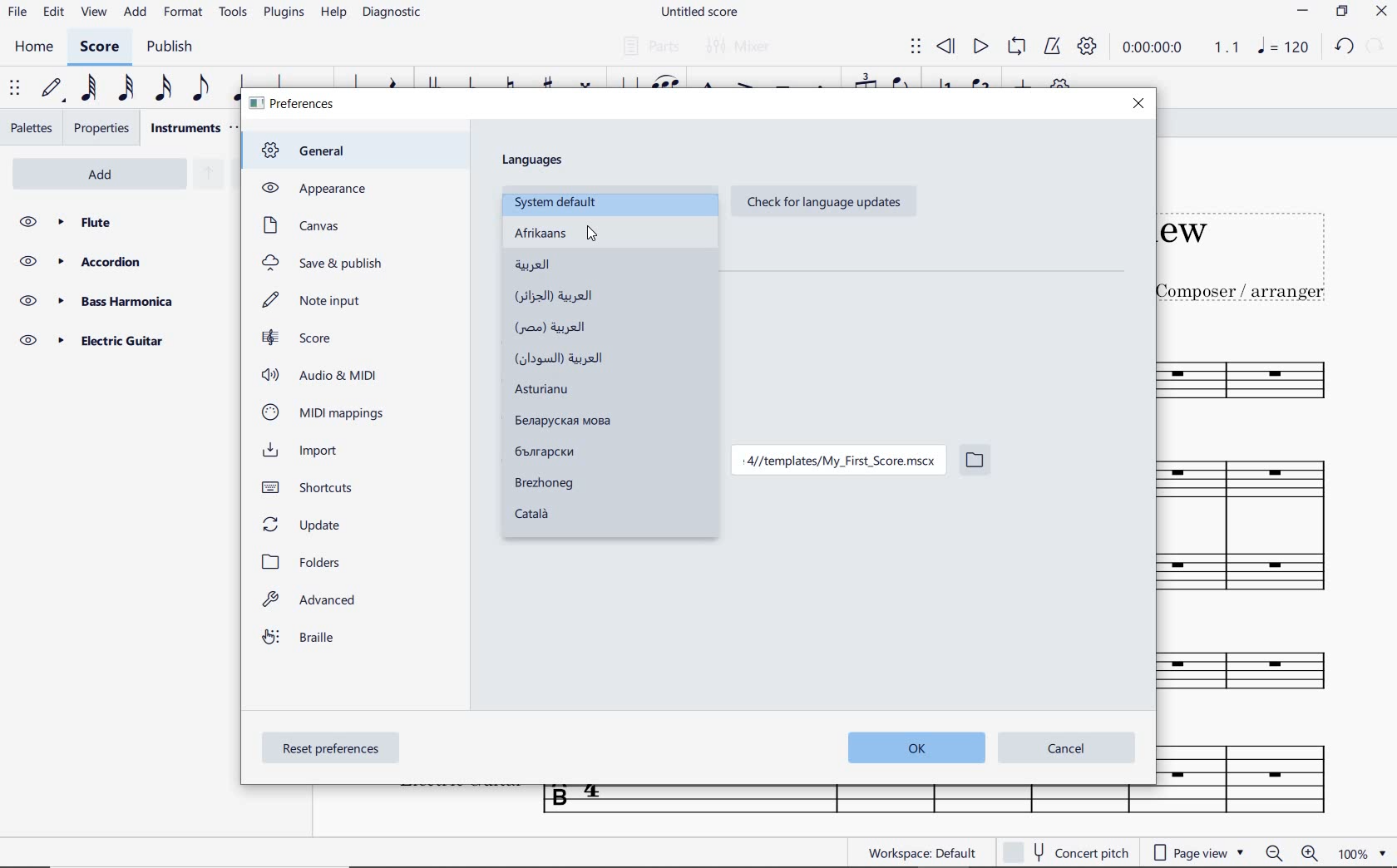 The width and height of the screenshot is (1397, 868). Describe the element at coordinates (313, 603) in the screenshot. I see `advanced` at that location.